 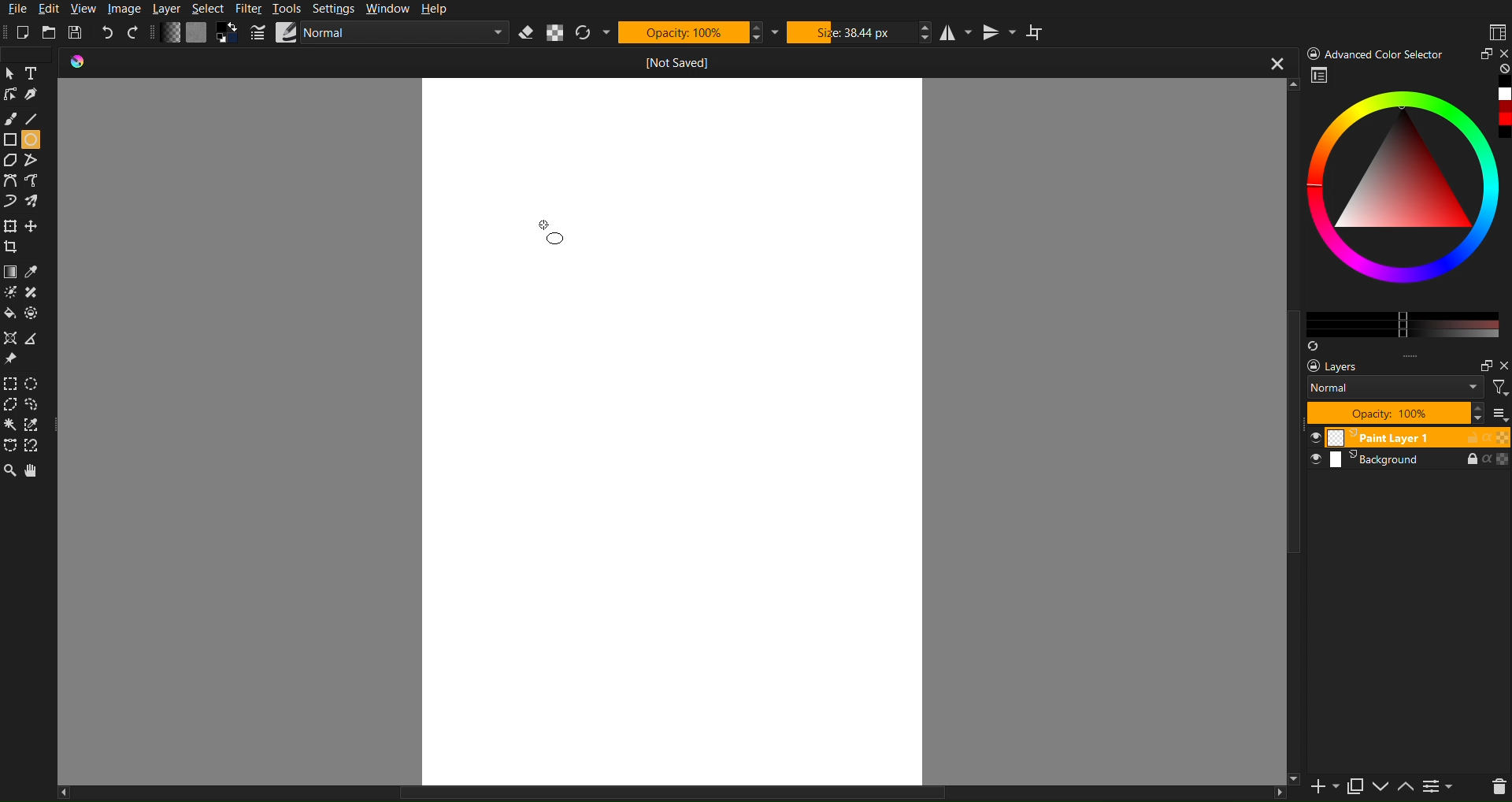 What do you see at coordinates (1406, 789) in the screenshot?
I see `up` at bounding box center [1406, 789].